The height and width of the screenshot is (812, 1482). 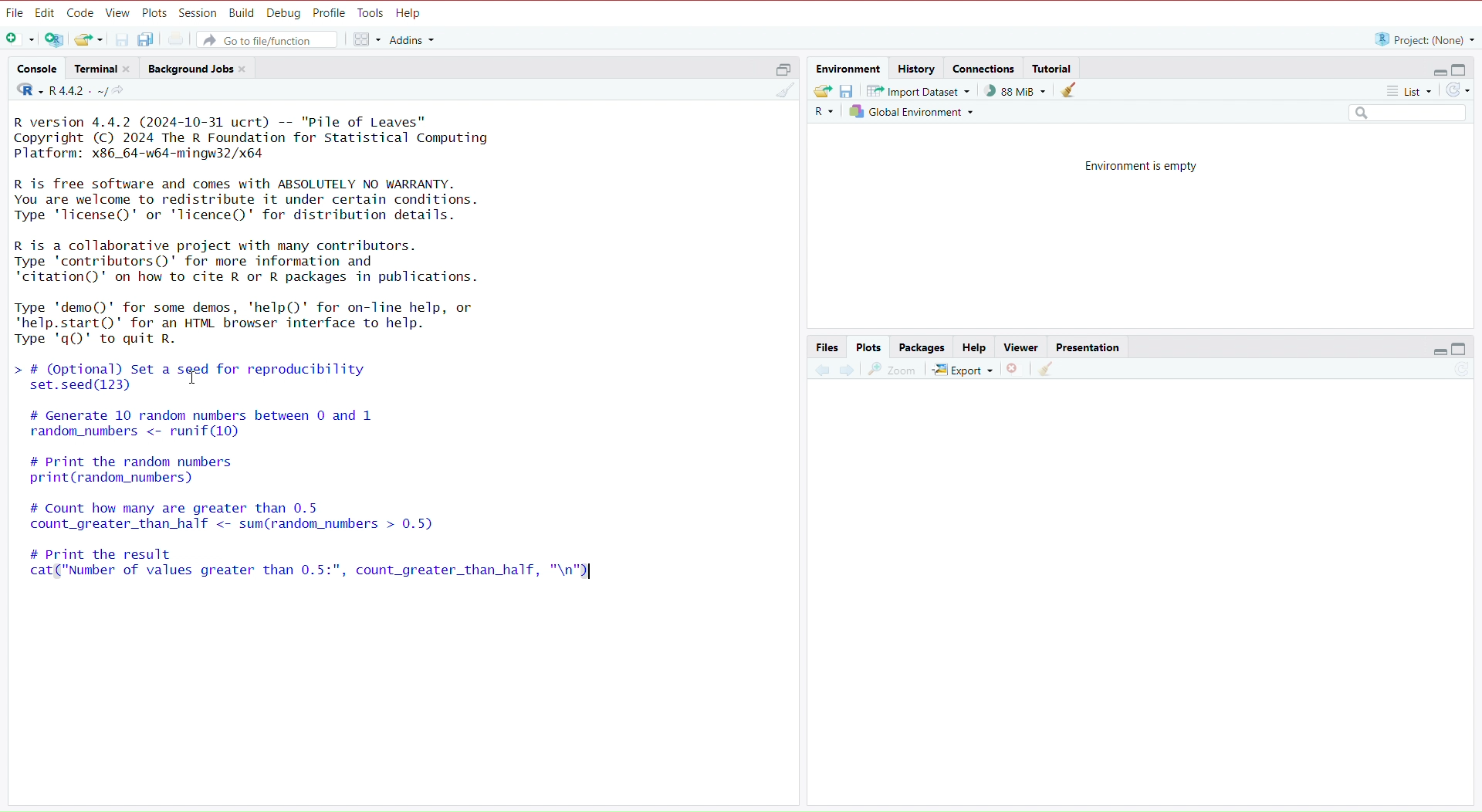 I want to click on Save, so click(x=848, y=91).